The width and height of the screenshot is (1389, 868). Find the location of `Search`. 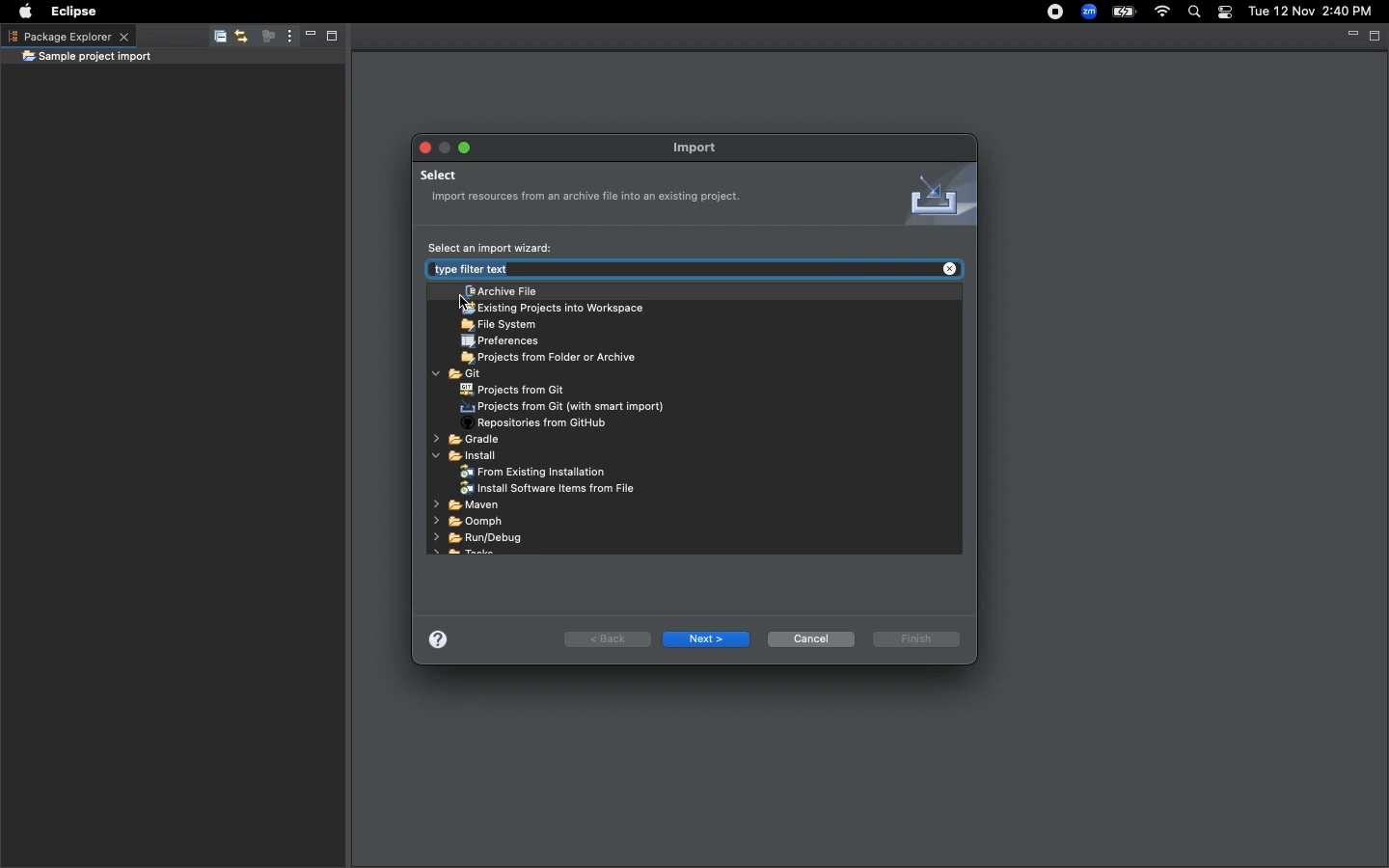

Search is located at coordinates (1192, 13).